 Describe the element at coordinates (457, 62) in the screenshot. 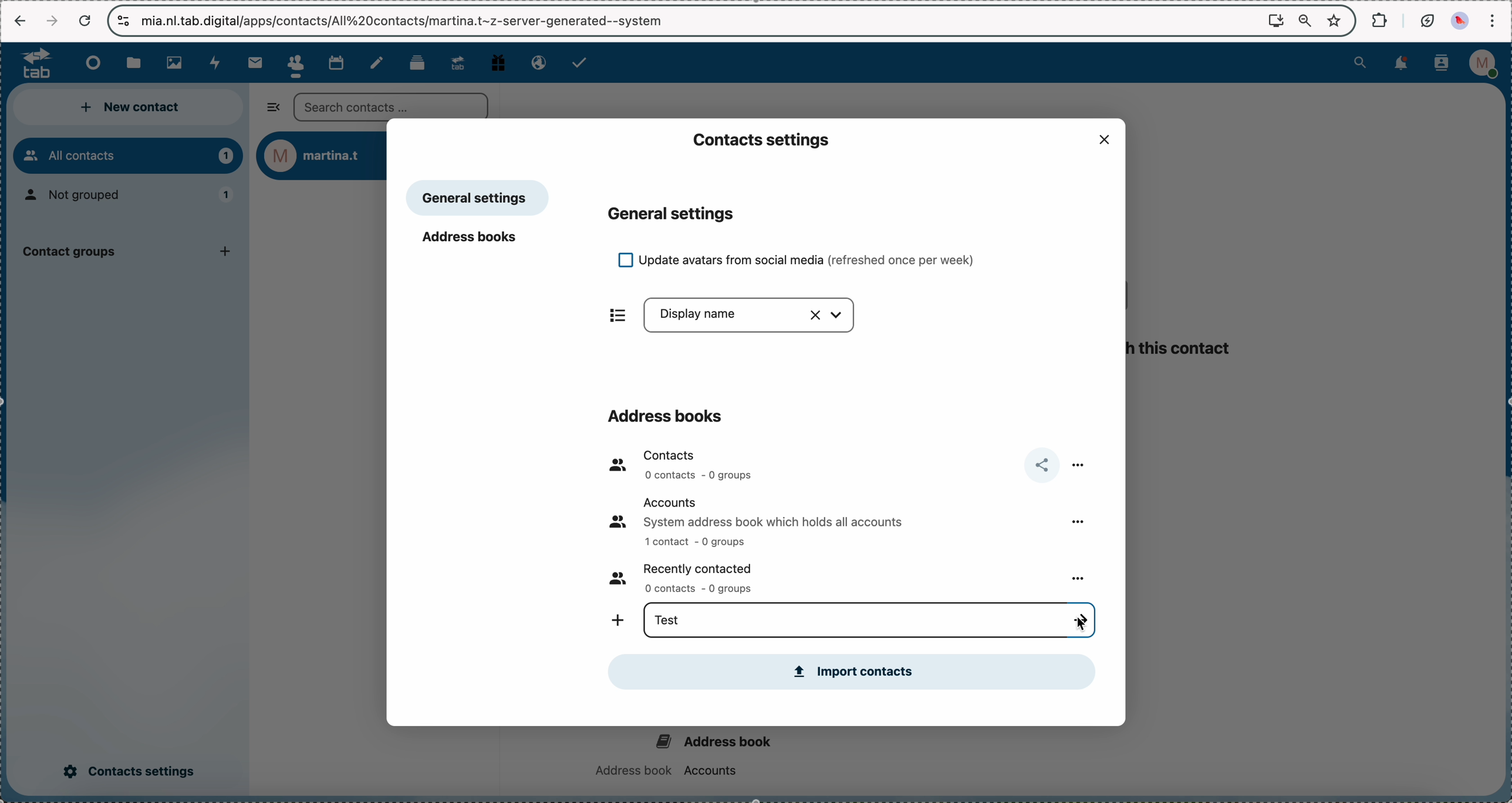

I see `upgrade` at that location.